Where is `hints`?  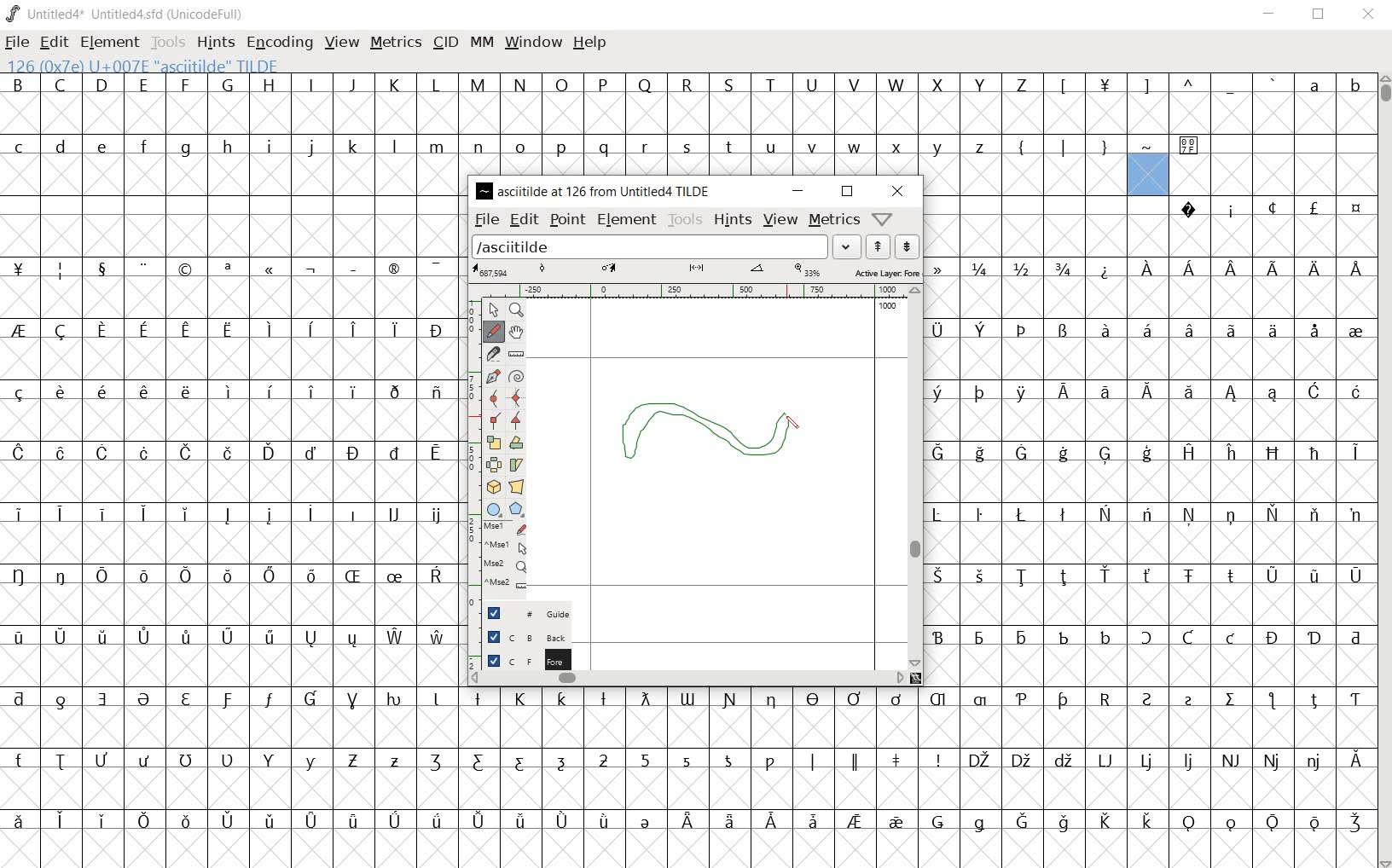
hints is located at coordinates (730, 222).